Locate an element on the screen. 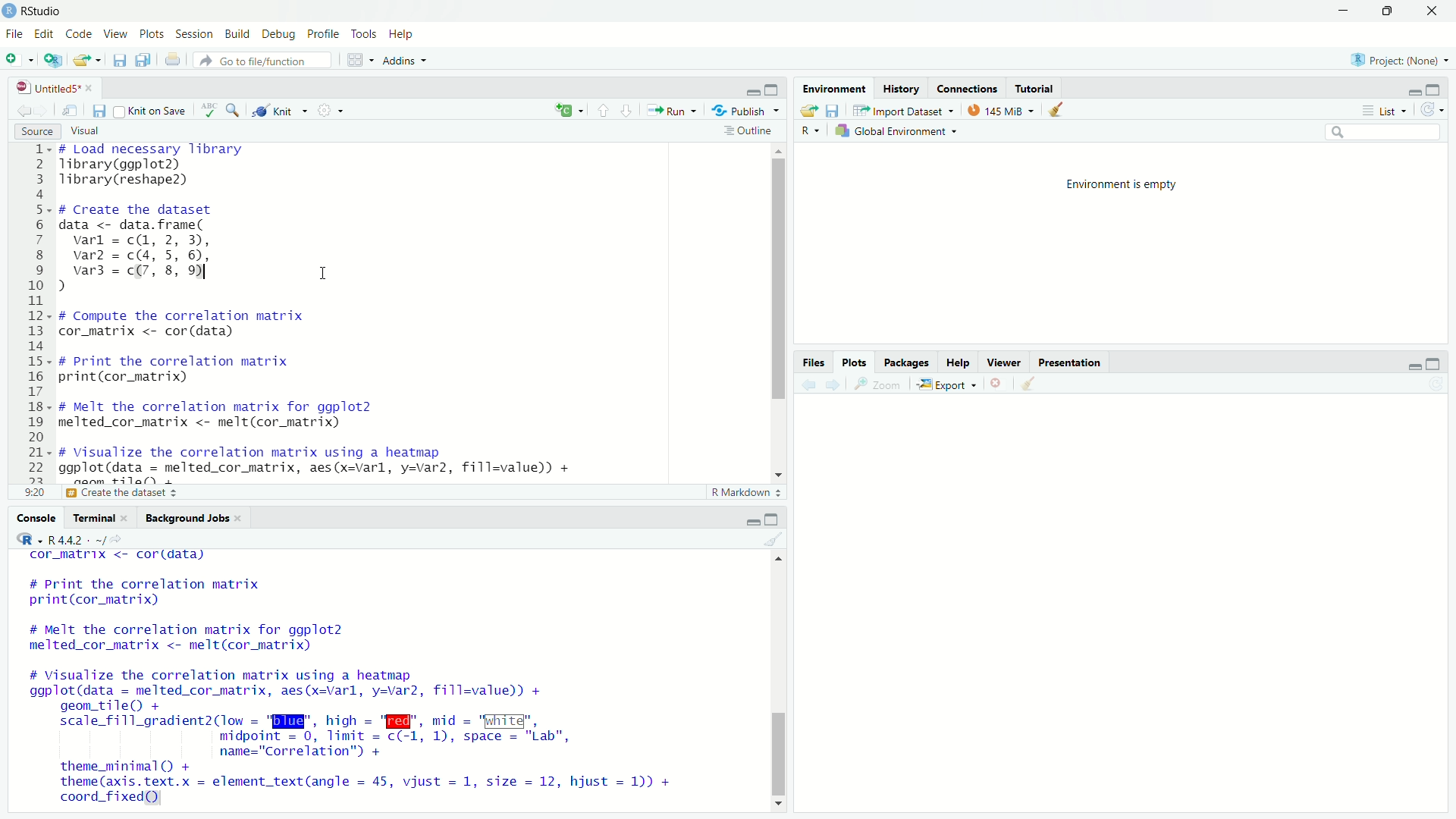  go to previous section is located at coordinates (602, 108).